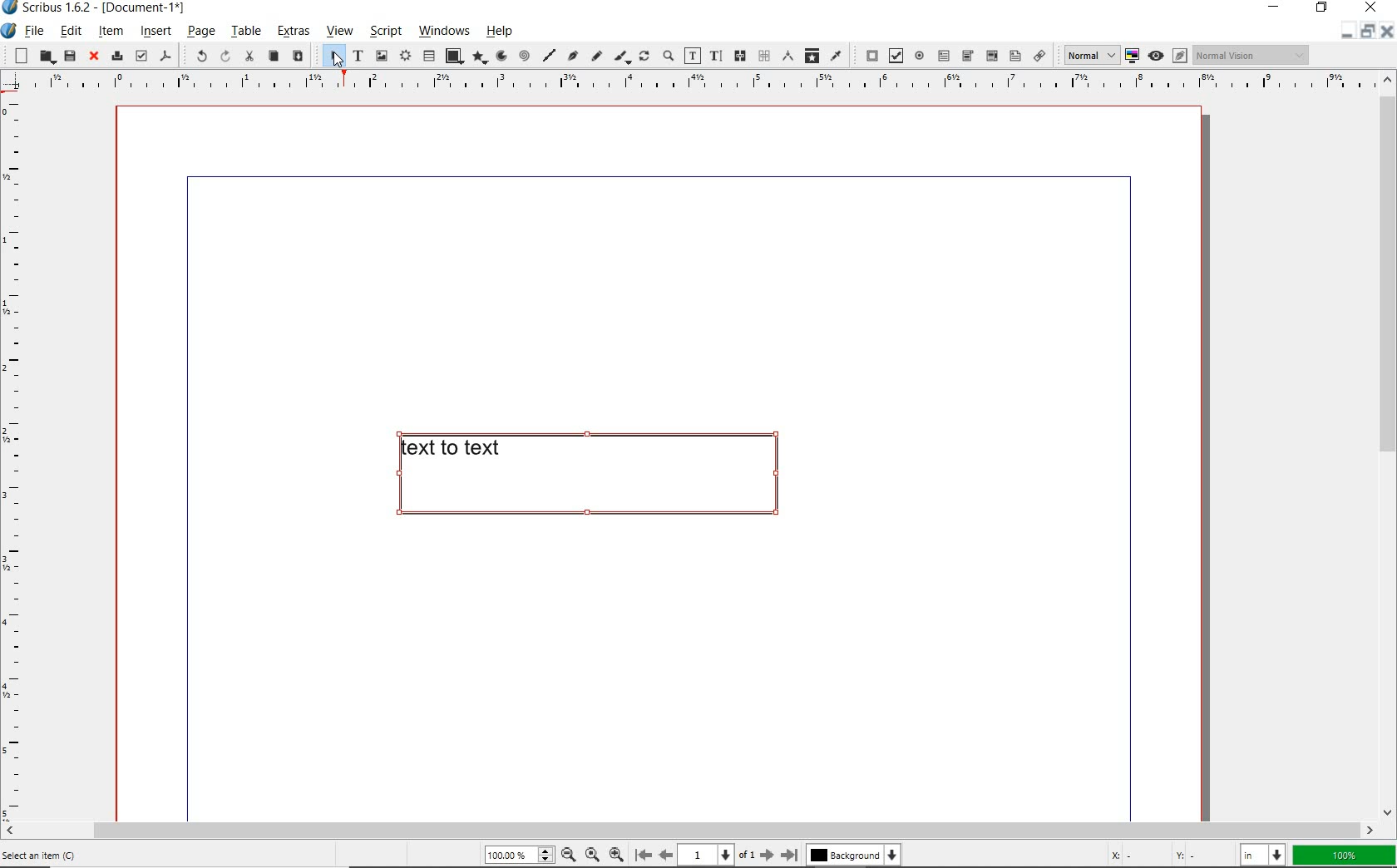  I want to click on Scribus 1.6.2 - [Document-1*], so click(99, 10).